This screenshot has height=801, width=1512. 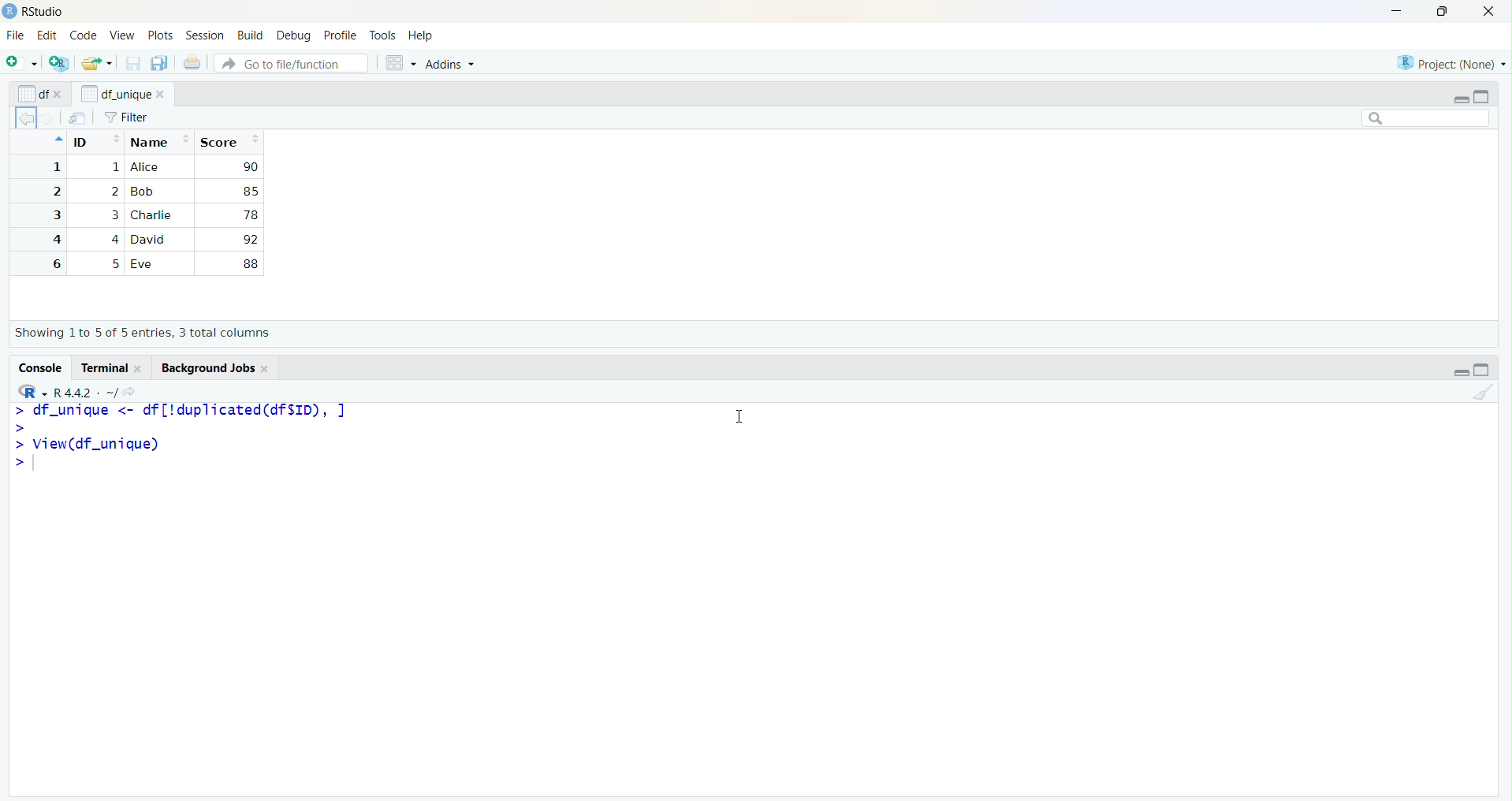 I want to click on Name, so click(x=160, y=140).